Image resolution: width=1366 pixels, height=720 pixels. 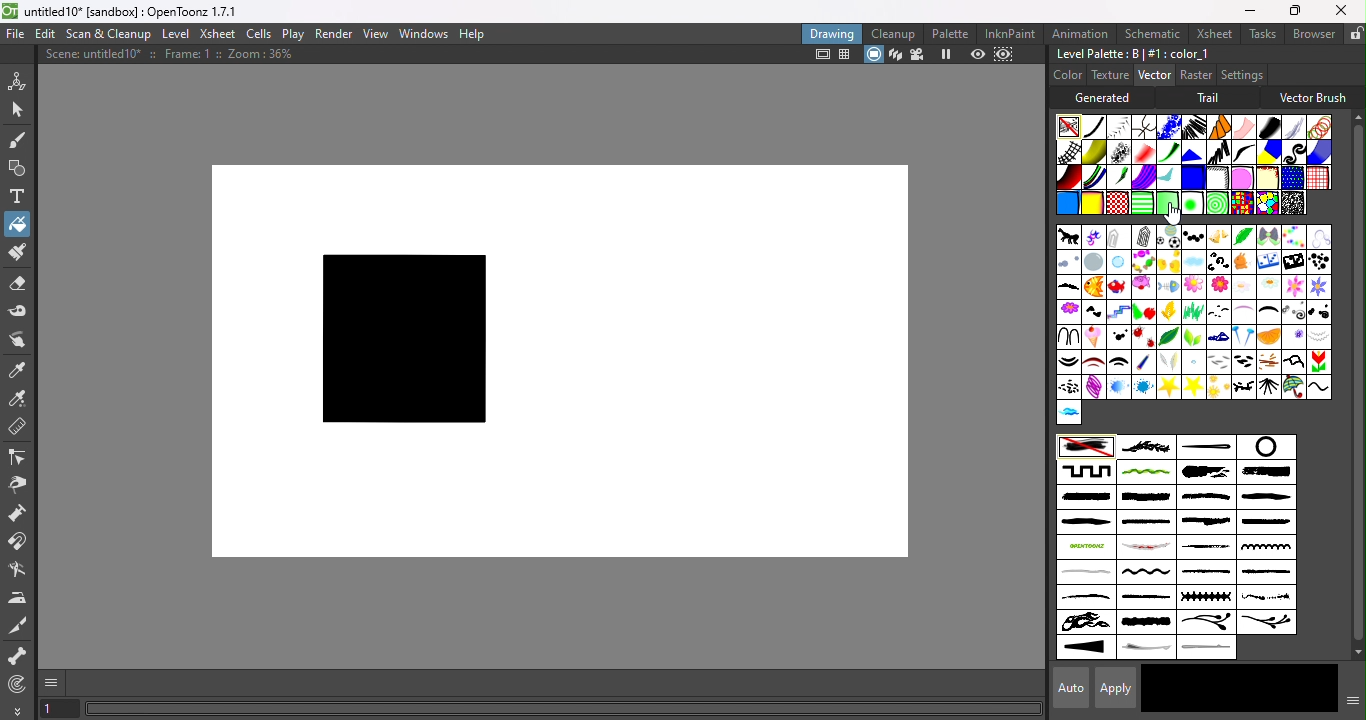 What do you see at coordinates (1107, 97) in the screenshot?
I see `Generated` at bounding box center [1107, 97].